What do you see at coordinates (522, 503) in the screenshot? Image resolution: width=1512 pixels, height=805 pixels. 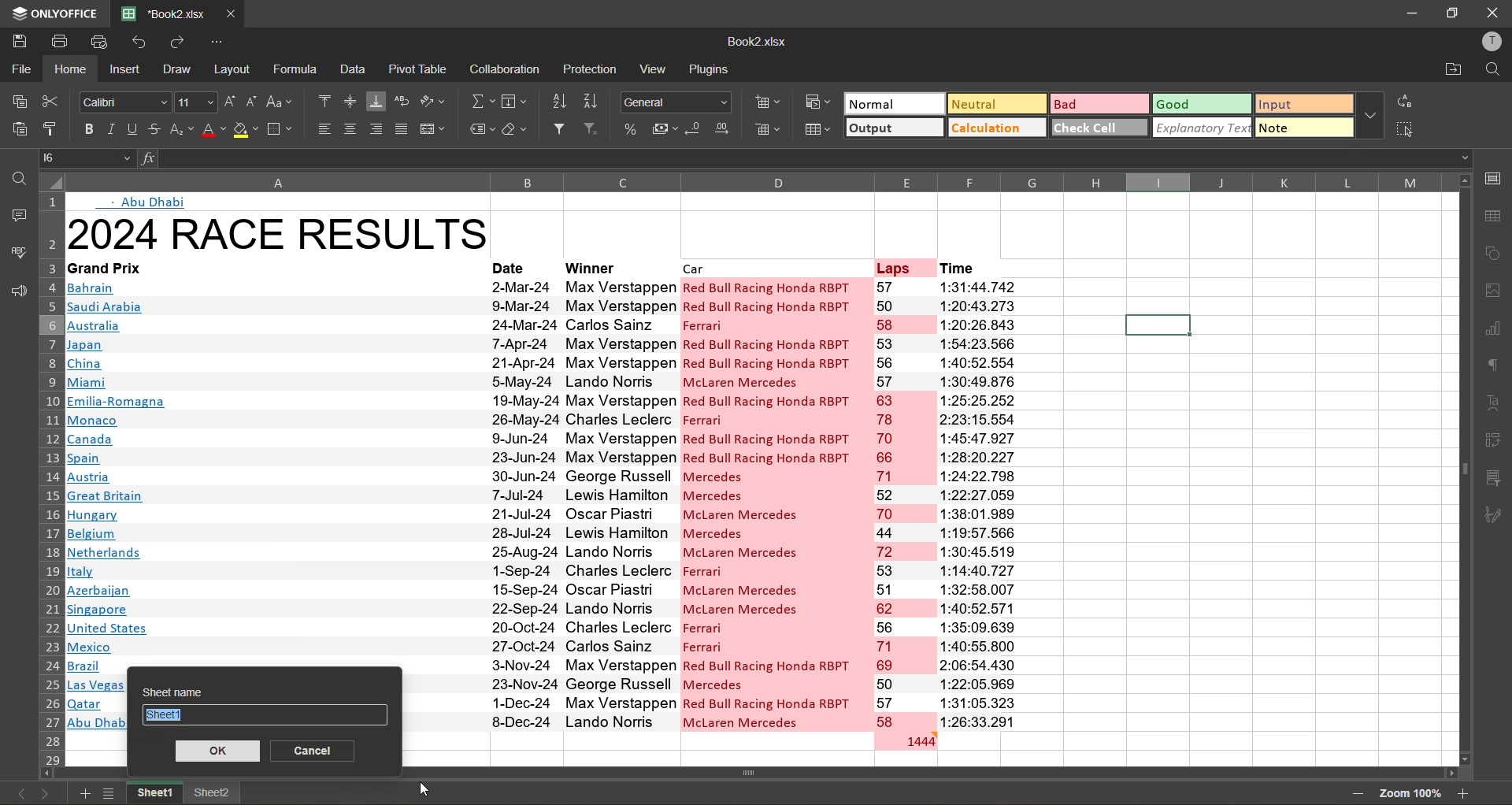 I see `date` at bounding box center [522, 503].